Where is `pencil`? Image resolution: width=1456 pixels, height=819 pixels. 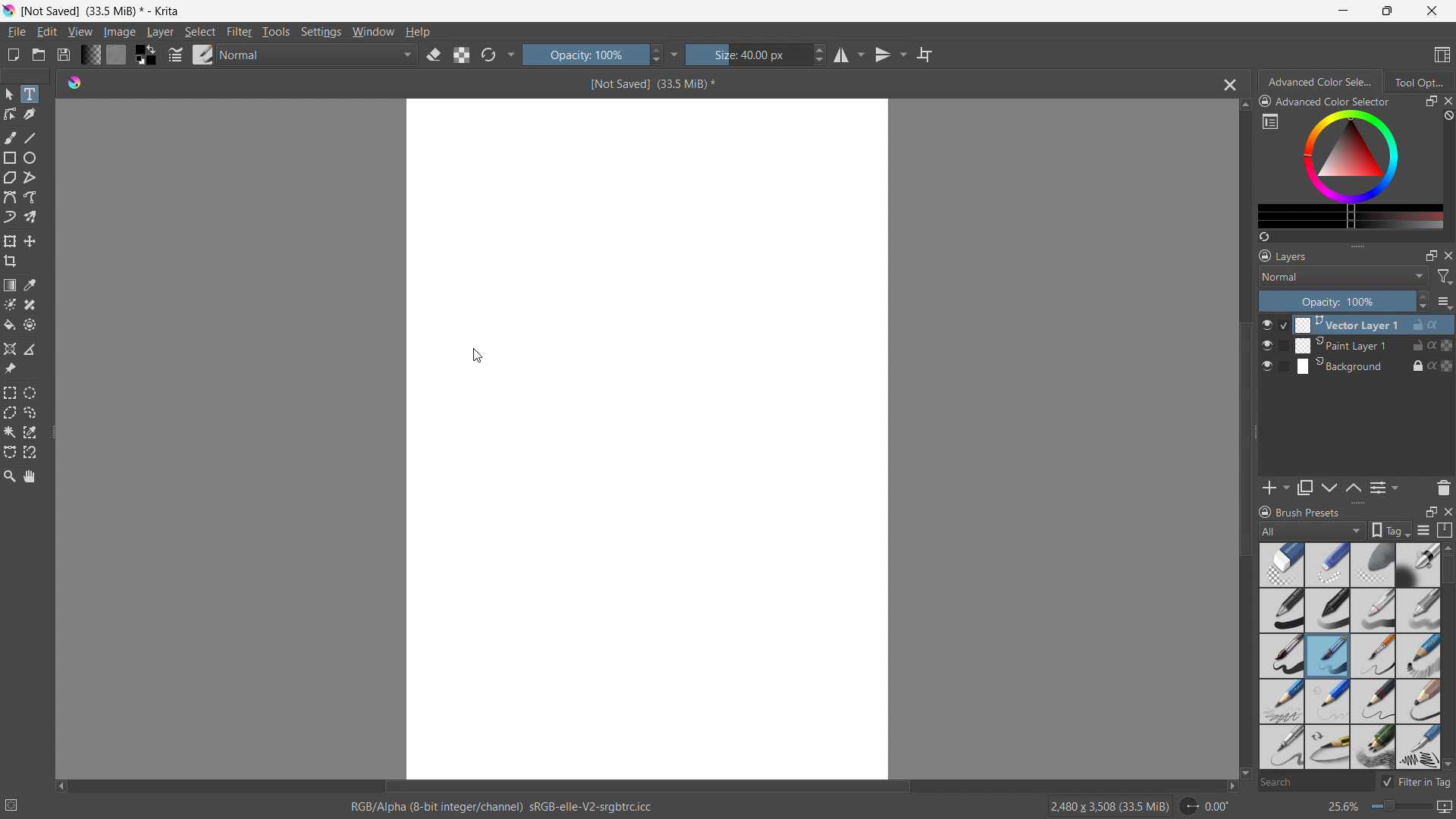
pencil is located at coordinates (1279, 747).